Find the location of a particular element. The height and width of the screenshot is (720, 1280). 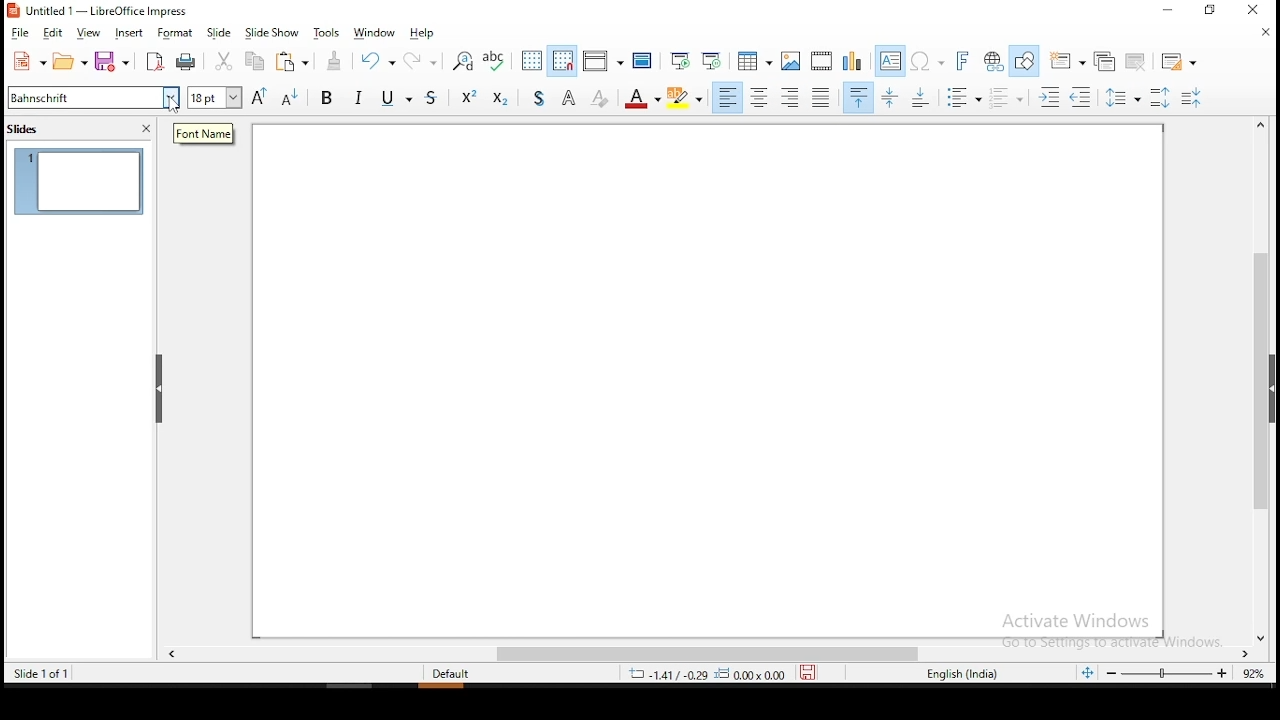

file is located at coordinates (23, 33).